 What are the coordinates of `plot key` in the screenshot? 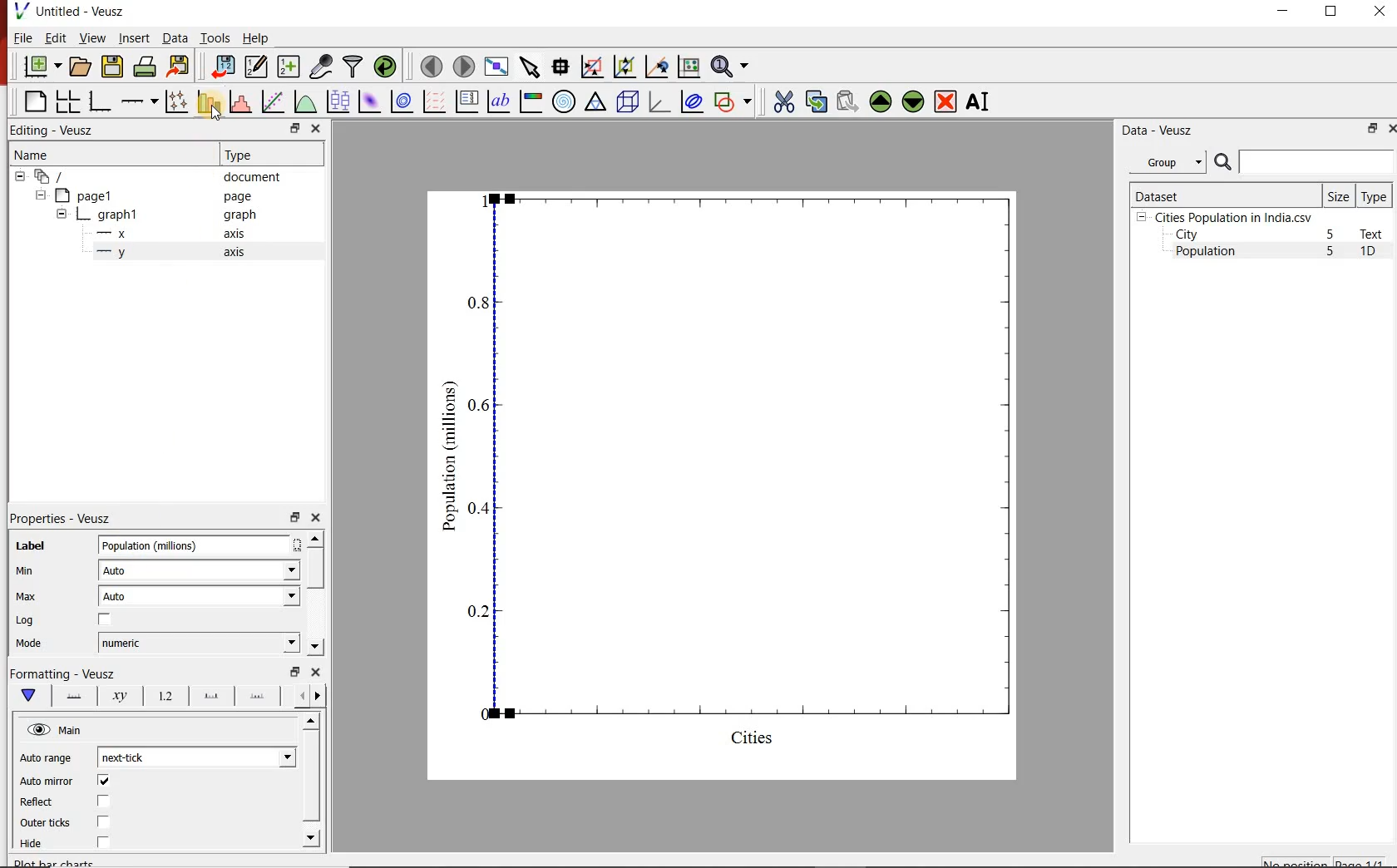 It's located at (466, 101).